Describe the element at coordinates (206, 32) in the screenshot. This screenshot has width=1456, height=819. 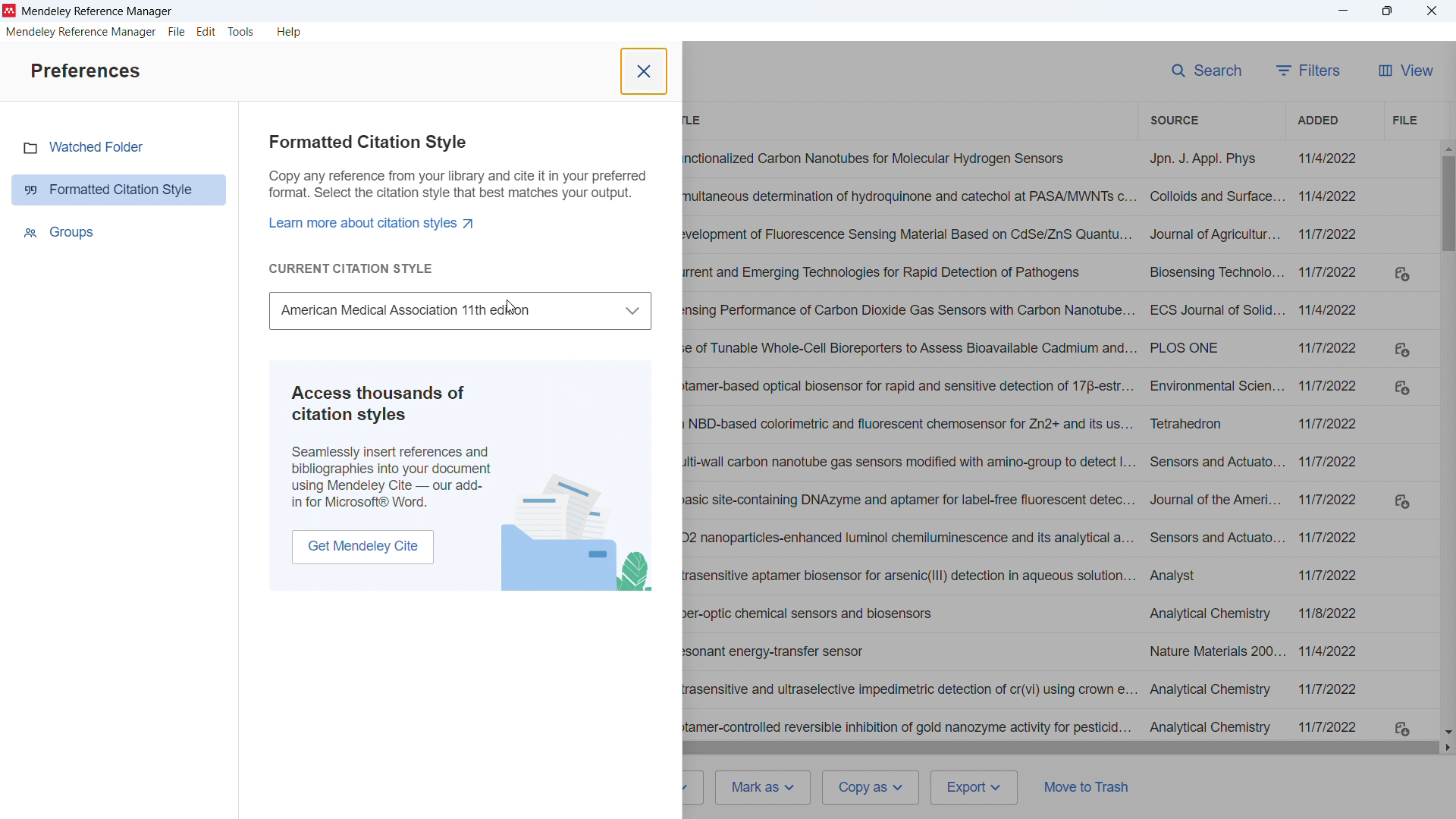
I see `edit` at that location.